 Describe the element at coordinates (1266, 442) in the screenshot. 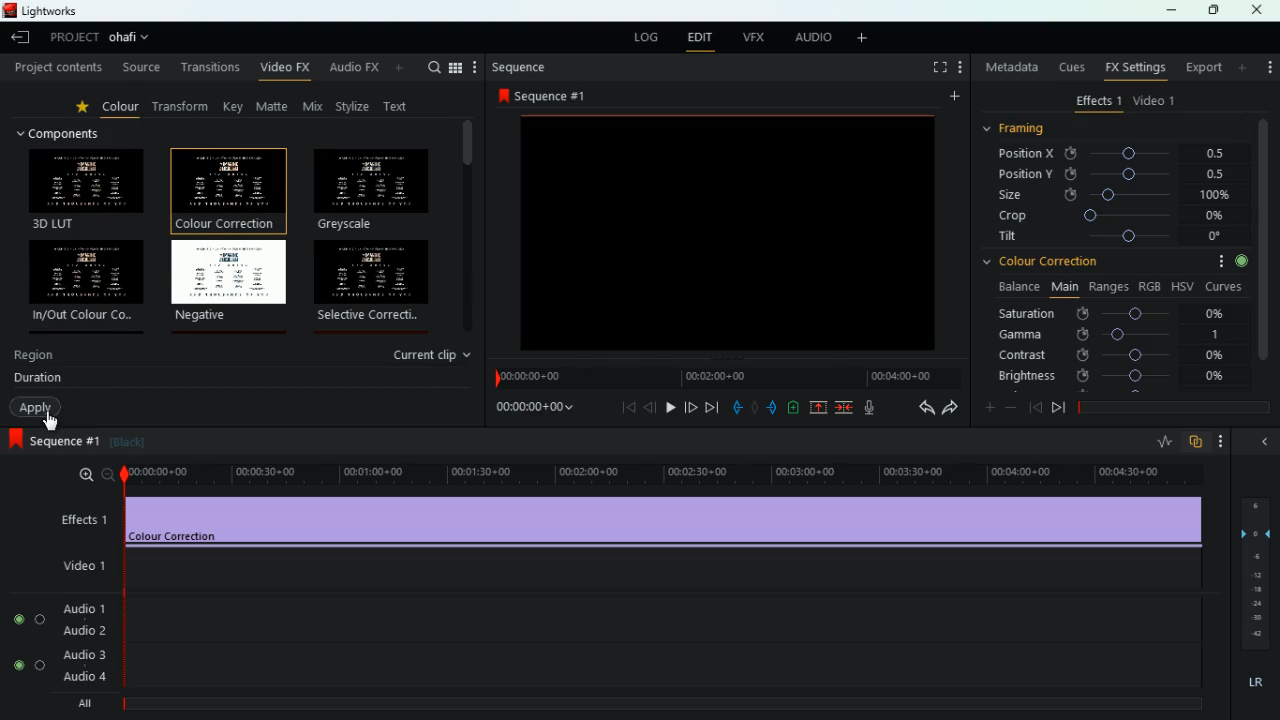

I see `opener` at that location.